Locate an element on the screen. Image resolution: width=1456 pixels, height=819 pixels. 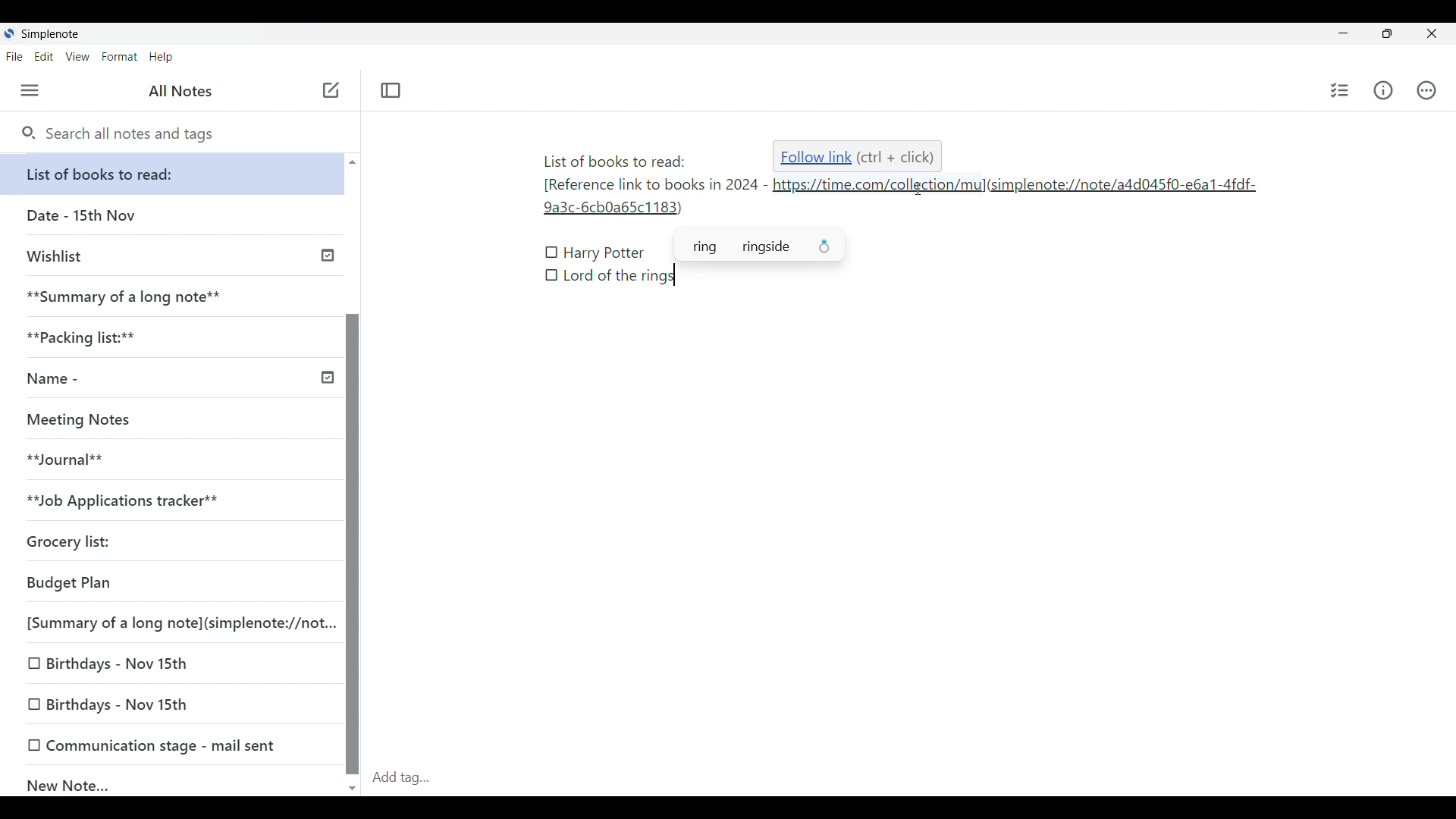
List of books to read: is located at coordinates (176, 174).